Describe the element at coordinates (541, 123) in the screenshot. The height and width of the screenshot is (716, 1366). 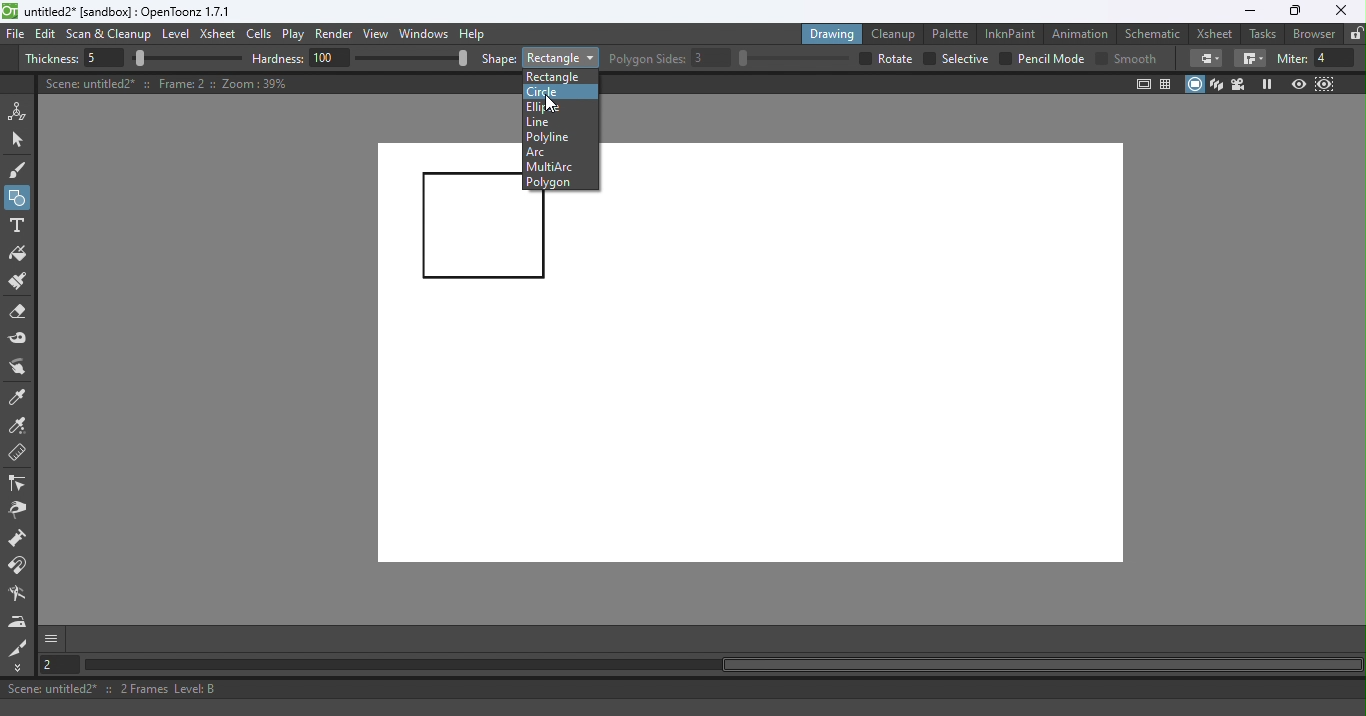
I see `Line` at that location.